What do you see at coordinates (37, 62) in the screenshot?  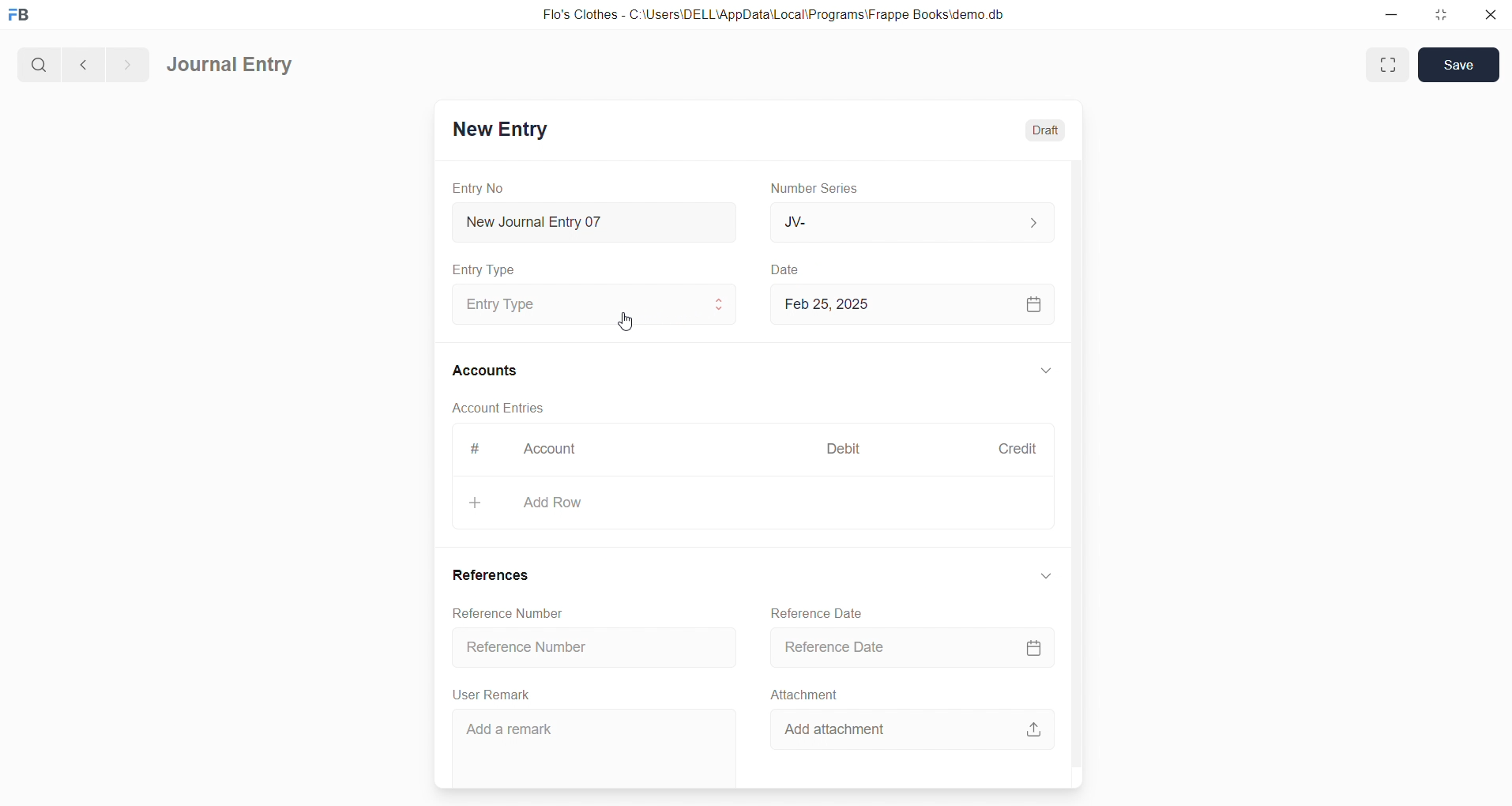 I see `search` at bounding box center [37, 62].